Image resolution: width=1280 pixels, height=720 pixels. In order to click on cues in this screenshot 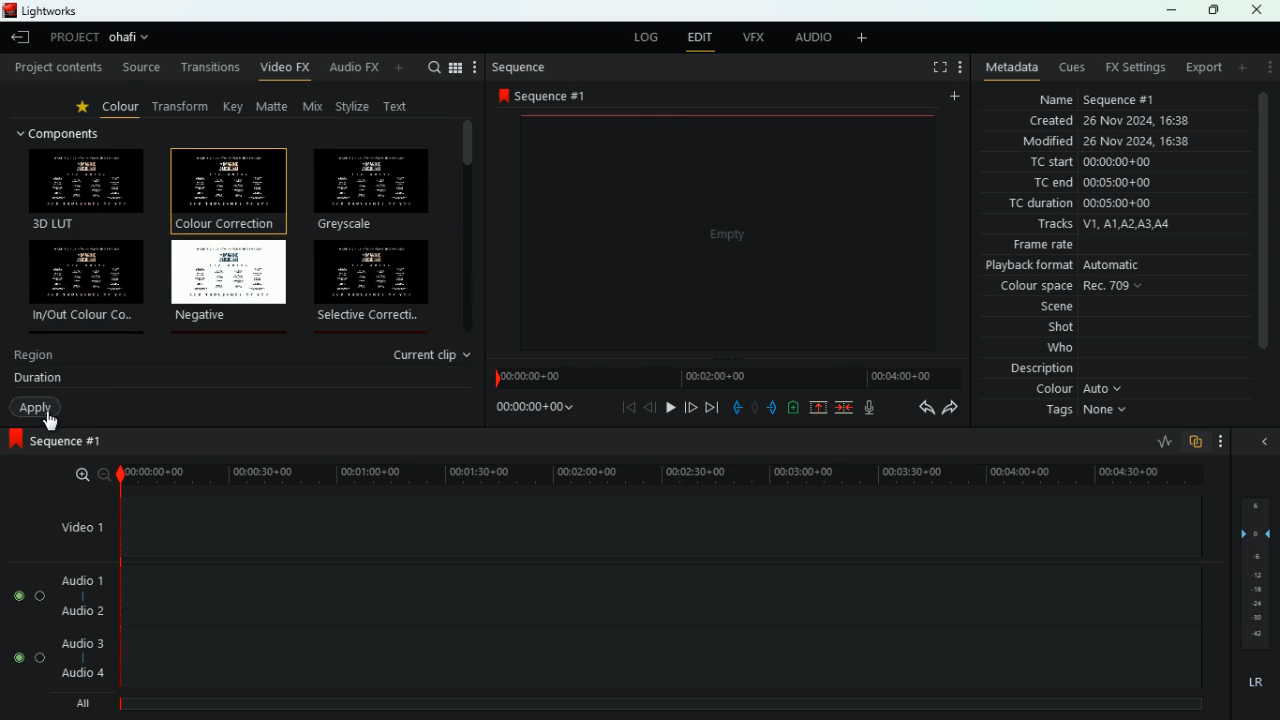, I will do `click(1073, 68)`.